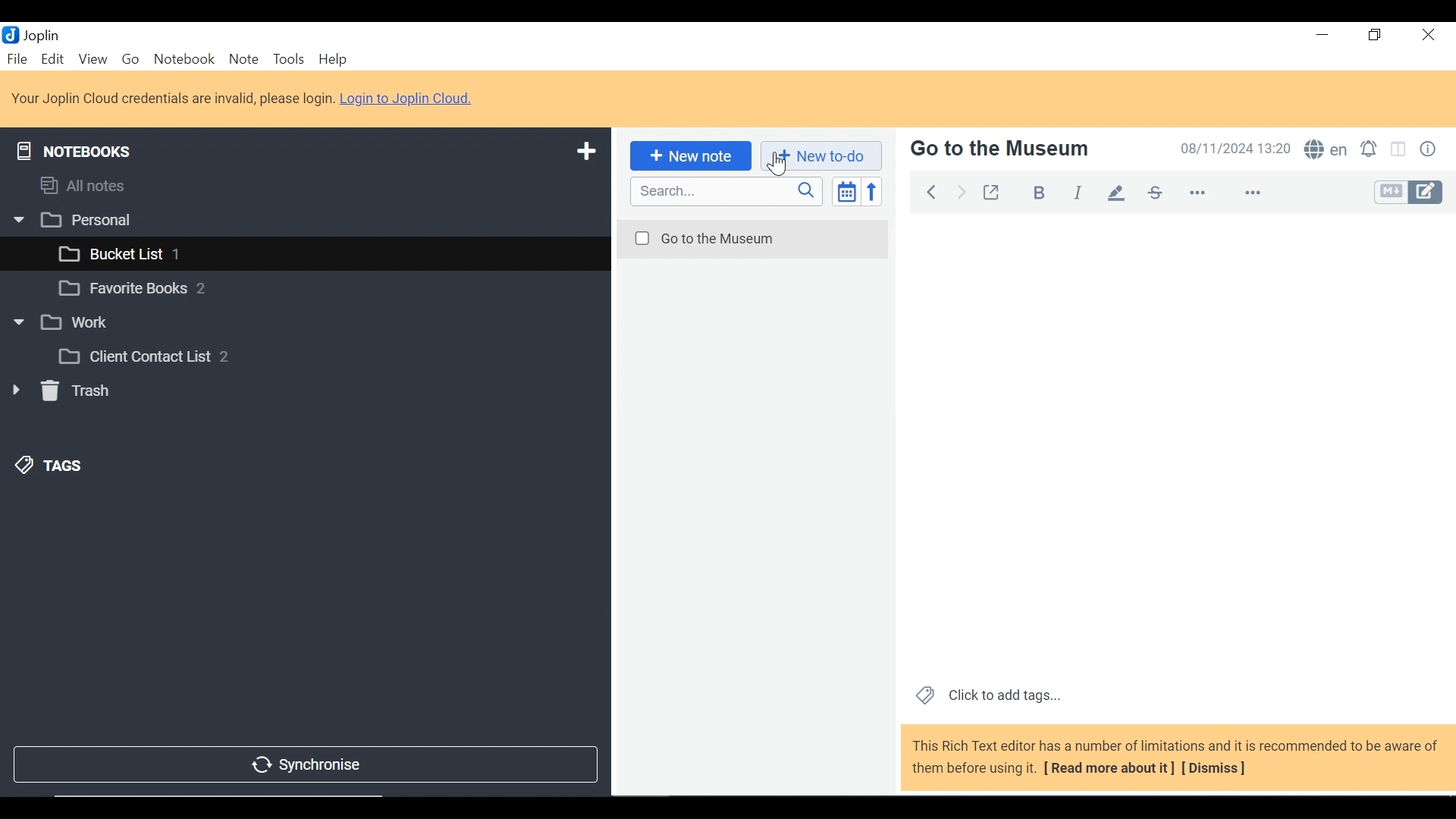 The width and height of the screenshot is (1456, 819). What do you see at coordinates (1041, 193) in the screenshot?
I see `Bold` at bounding box center [1041, 193].